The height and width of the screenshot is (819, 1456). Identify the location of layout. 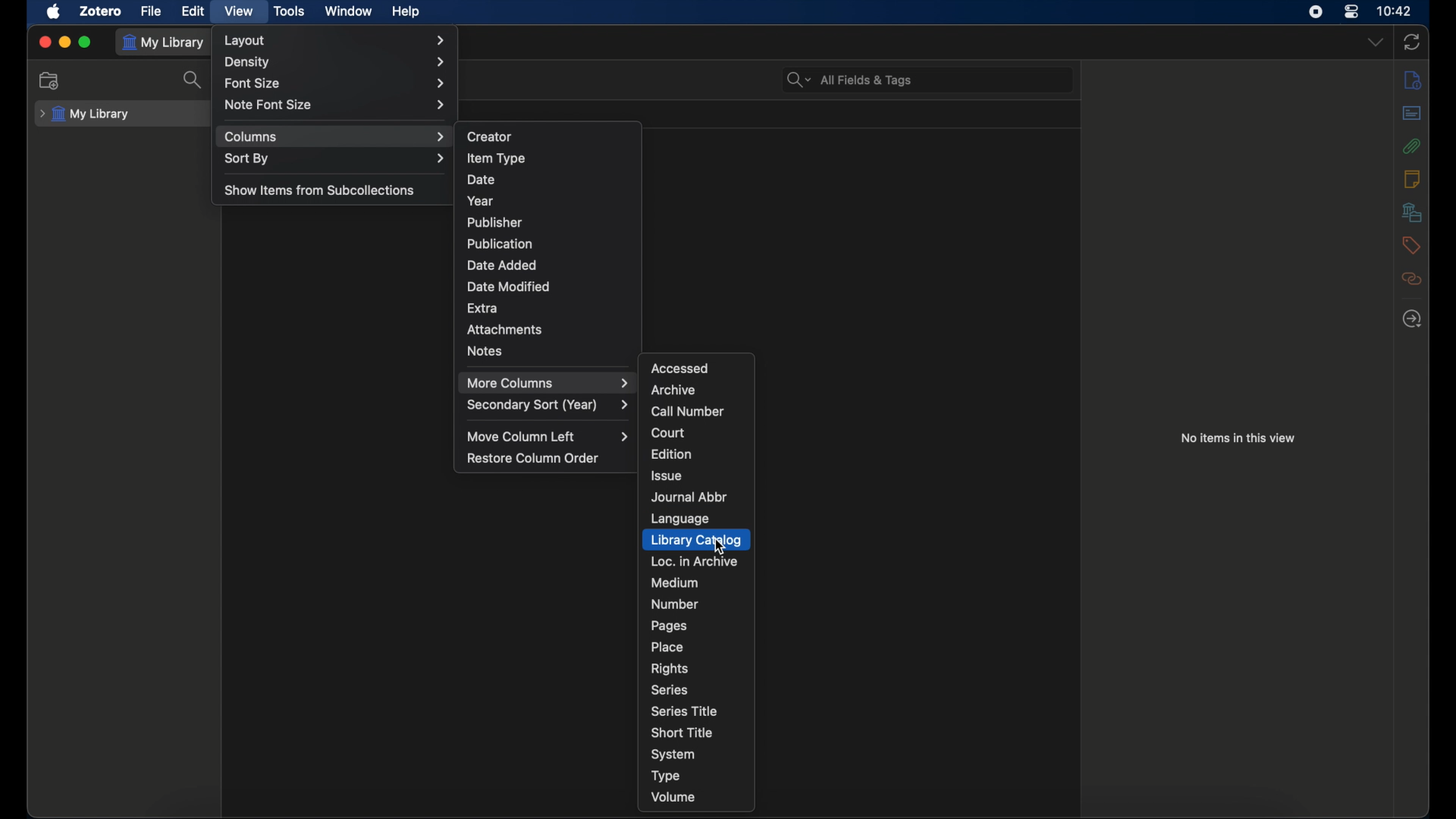
(335, 40).